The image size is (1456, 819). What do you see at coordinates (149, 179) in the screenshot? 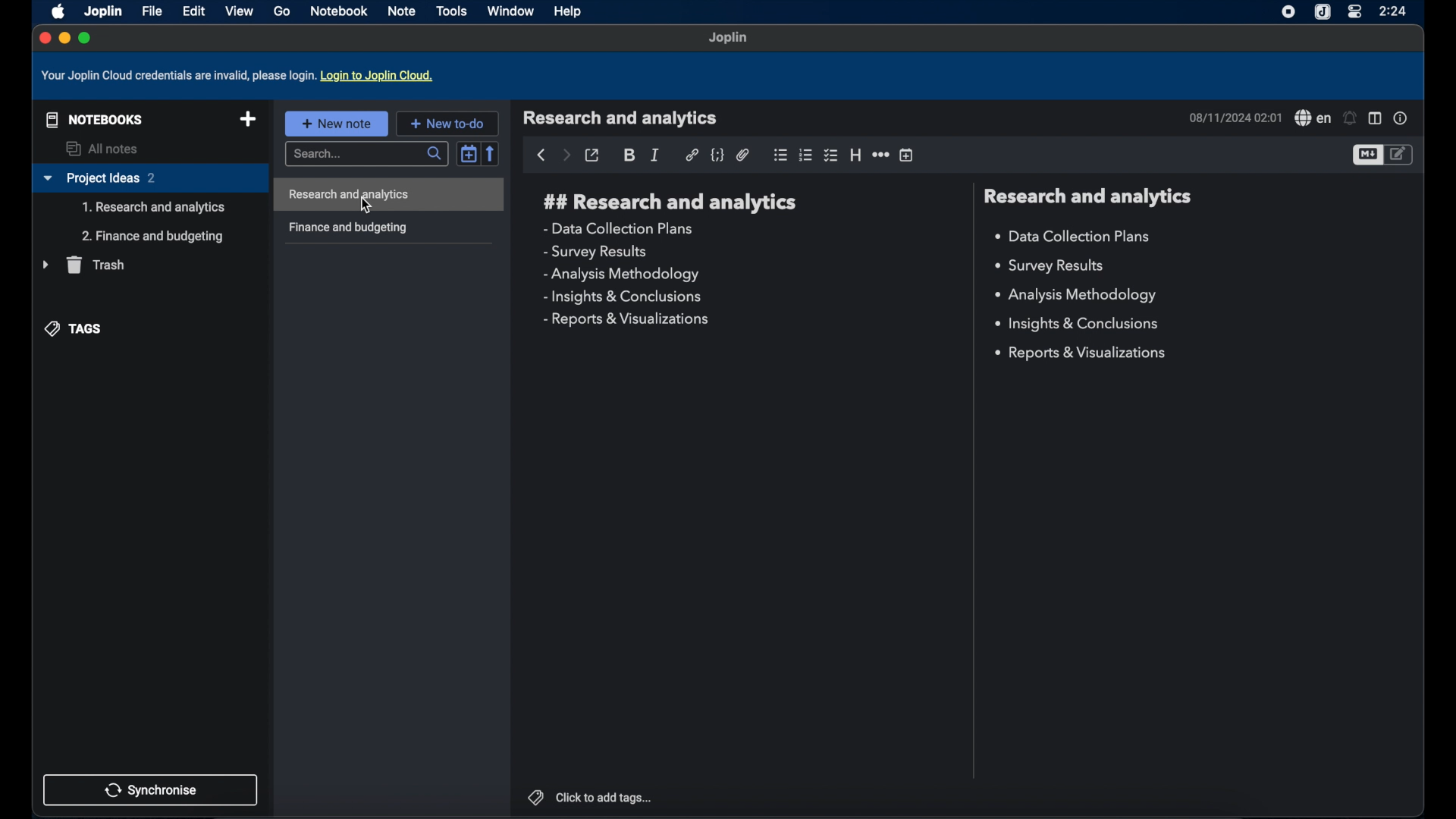
I see `project ideas 2` at bounding box center [149, 179].